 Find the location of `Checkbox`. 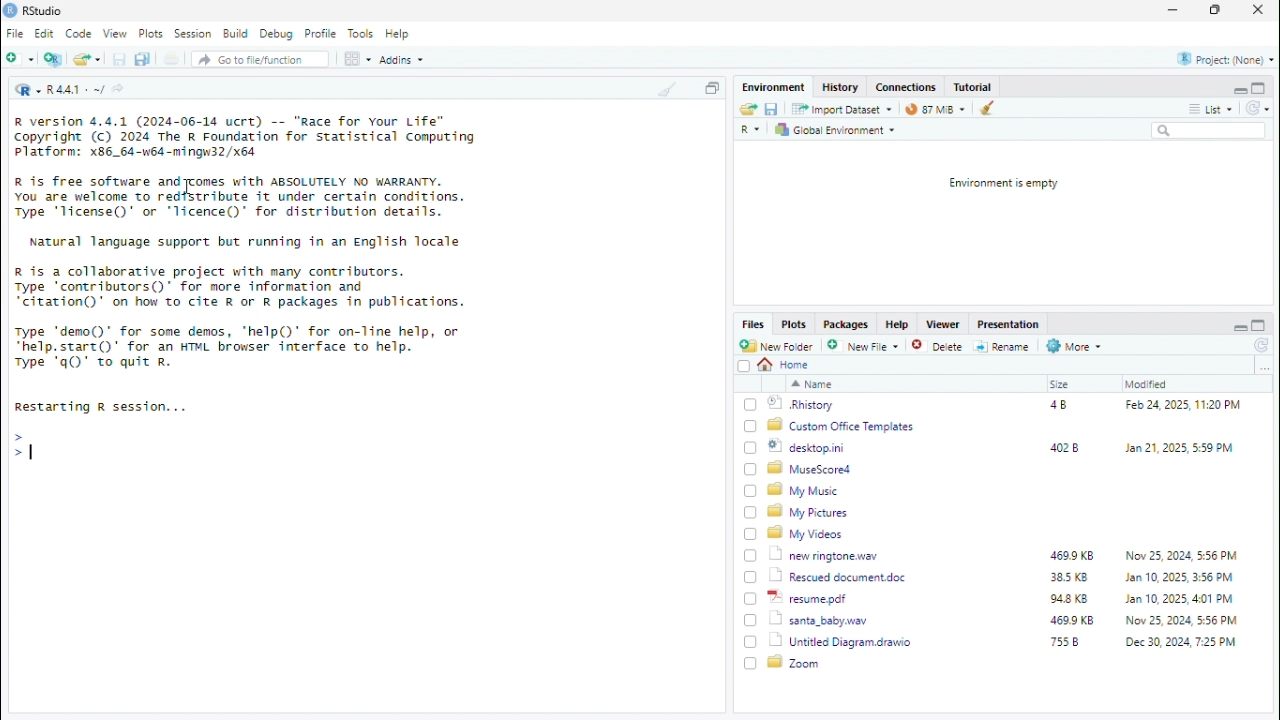

Checkbox is located at coordinates (751, 556).